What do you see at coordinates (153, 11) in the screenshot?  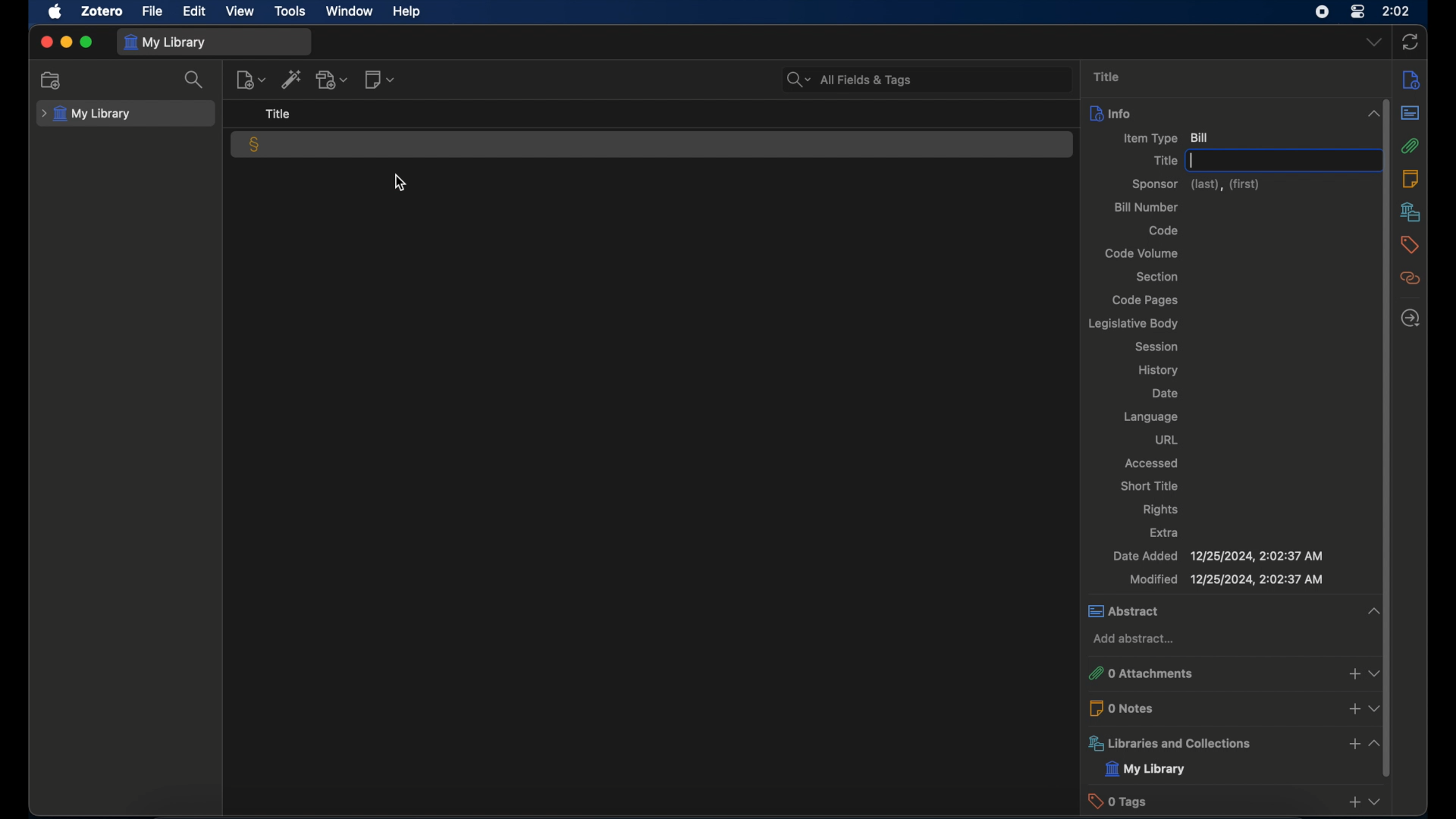 I see `file` at bounding box center [153, 11].